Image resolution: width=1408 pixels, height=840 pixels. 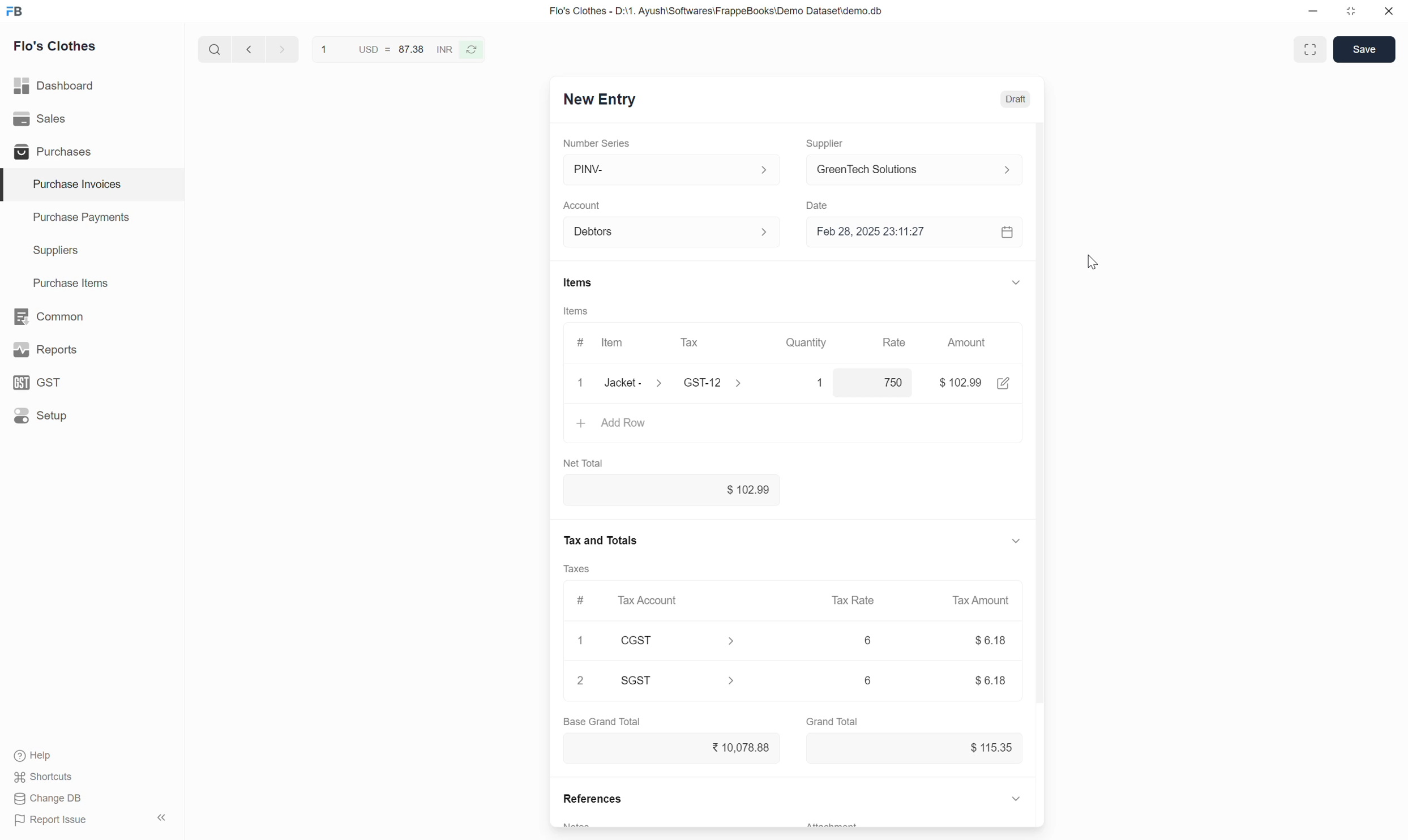 What do you see at coordinates (1389, 11) in the screenshot?
I see `Close` at bounding box center [1389, 11].